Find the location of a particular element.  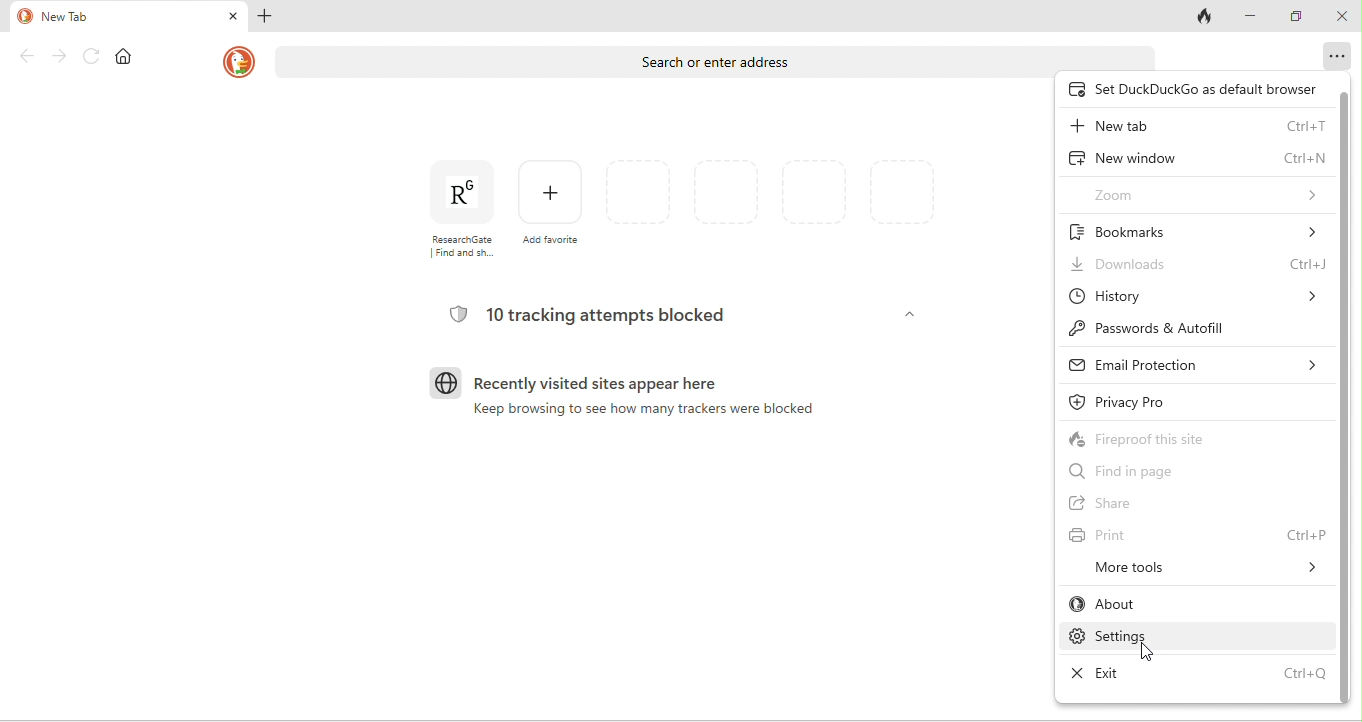

email protection is located at coordinates (1191, 364).